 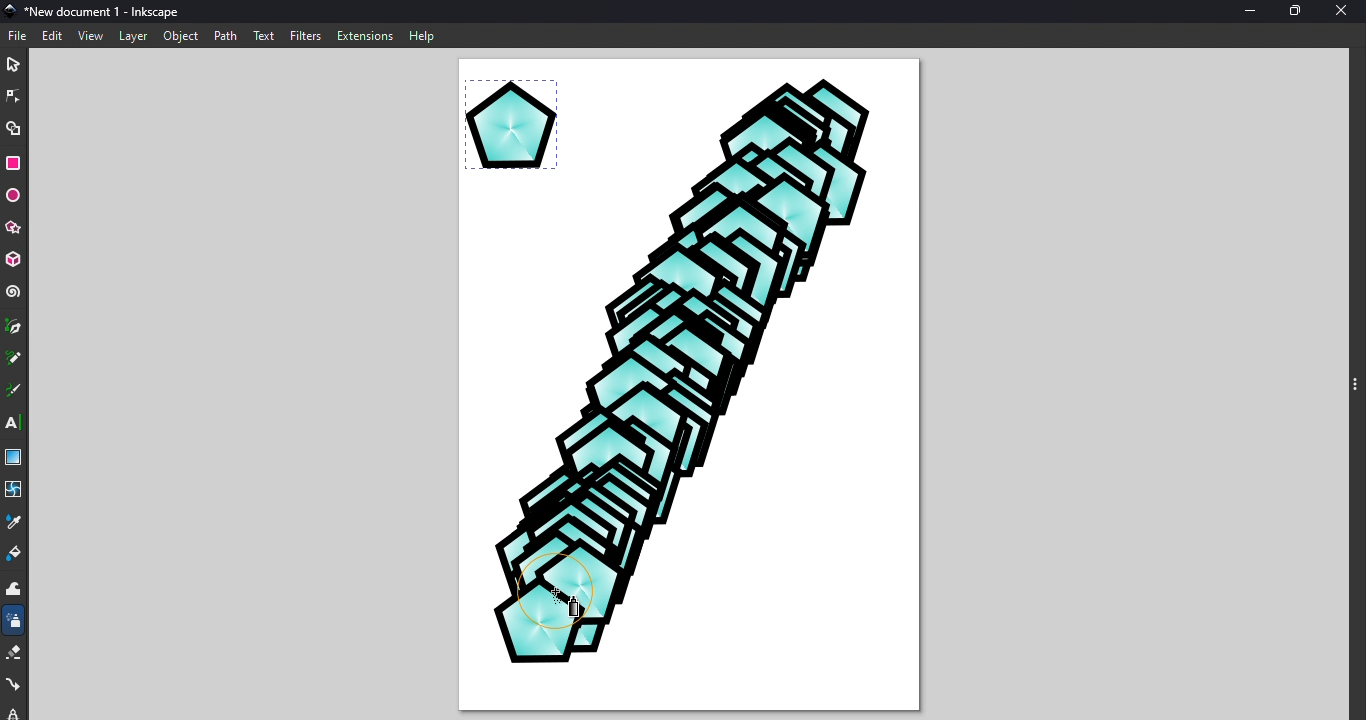 What do you see at coordinates (13, 390) in the screenshot?
I see `Calligraphy tool` at bounding box center [13, 390].